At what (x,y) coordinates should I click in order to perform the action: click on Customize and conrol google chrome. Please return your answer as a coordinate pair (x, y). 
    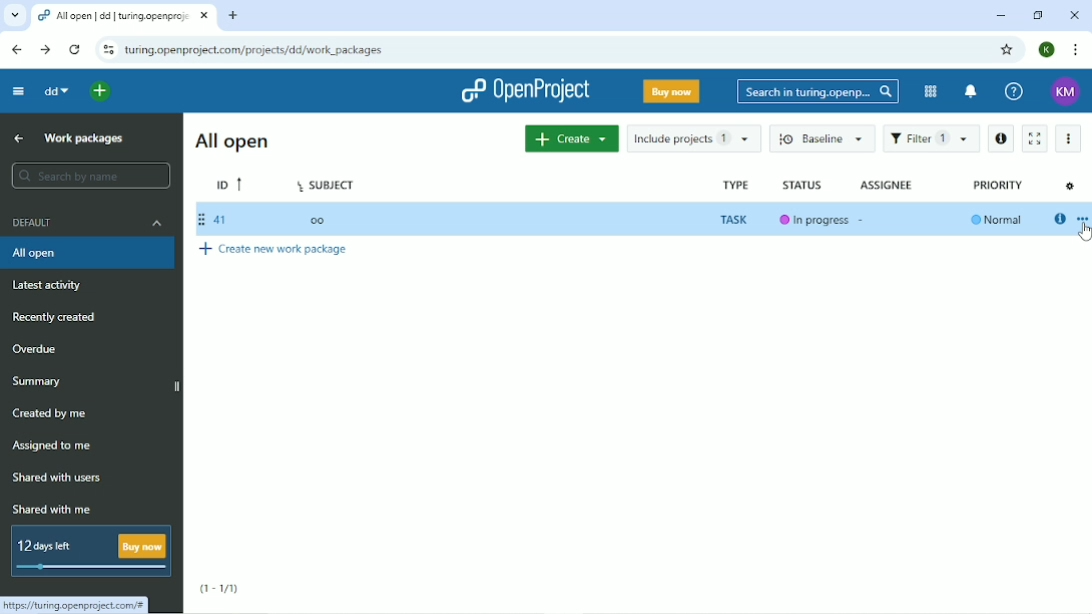
    Looking at the image, I should click on (1076, 50).